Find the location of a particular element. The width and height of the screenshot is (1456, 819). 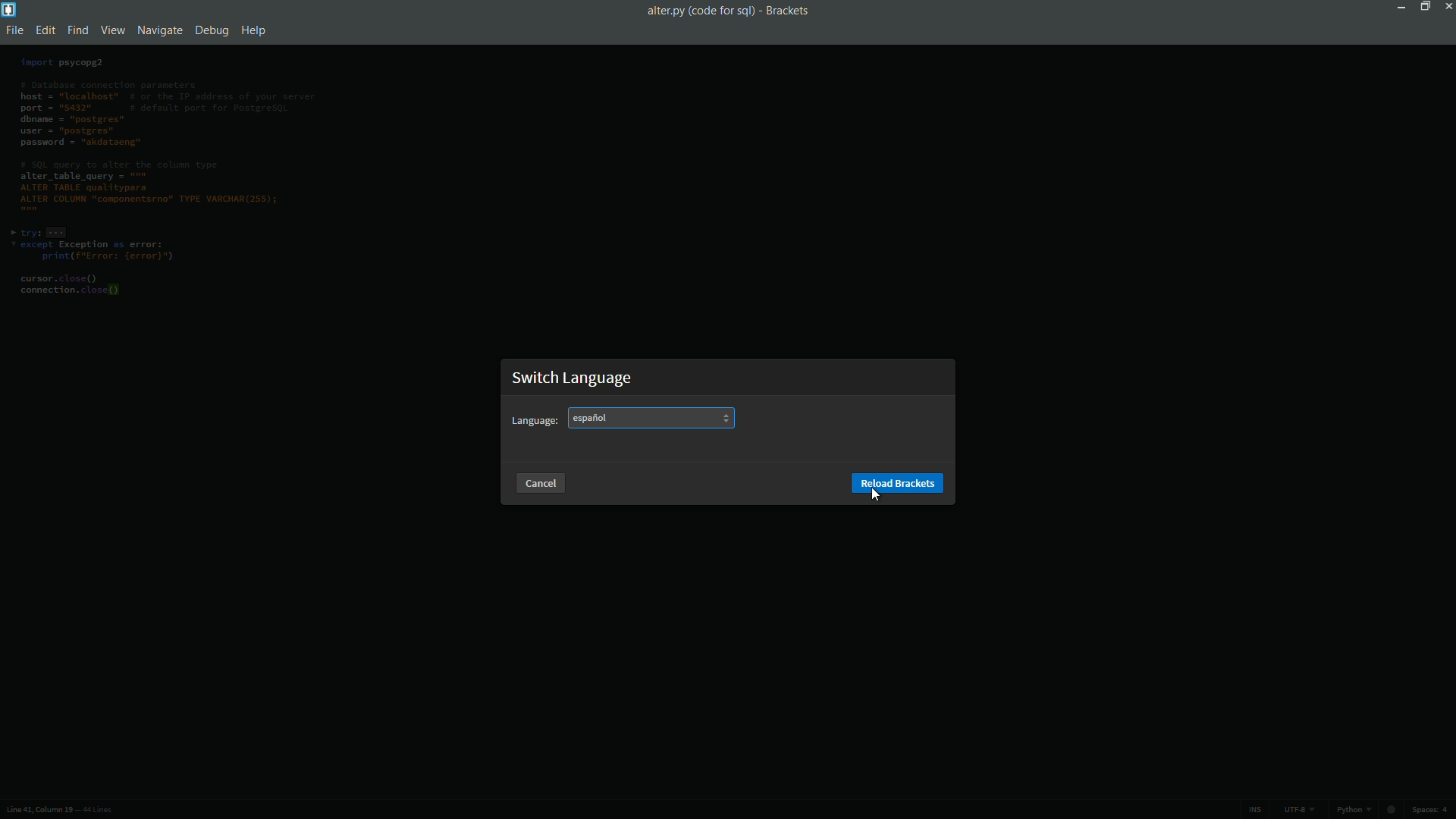

file namez is located at coordinates (701, 11).